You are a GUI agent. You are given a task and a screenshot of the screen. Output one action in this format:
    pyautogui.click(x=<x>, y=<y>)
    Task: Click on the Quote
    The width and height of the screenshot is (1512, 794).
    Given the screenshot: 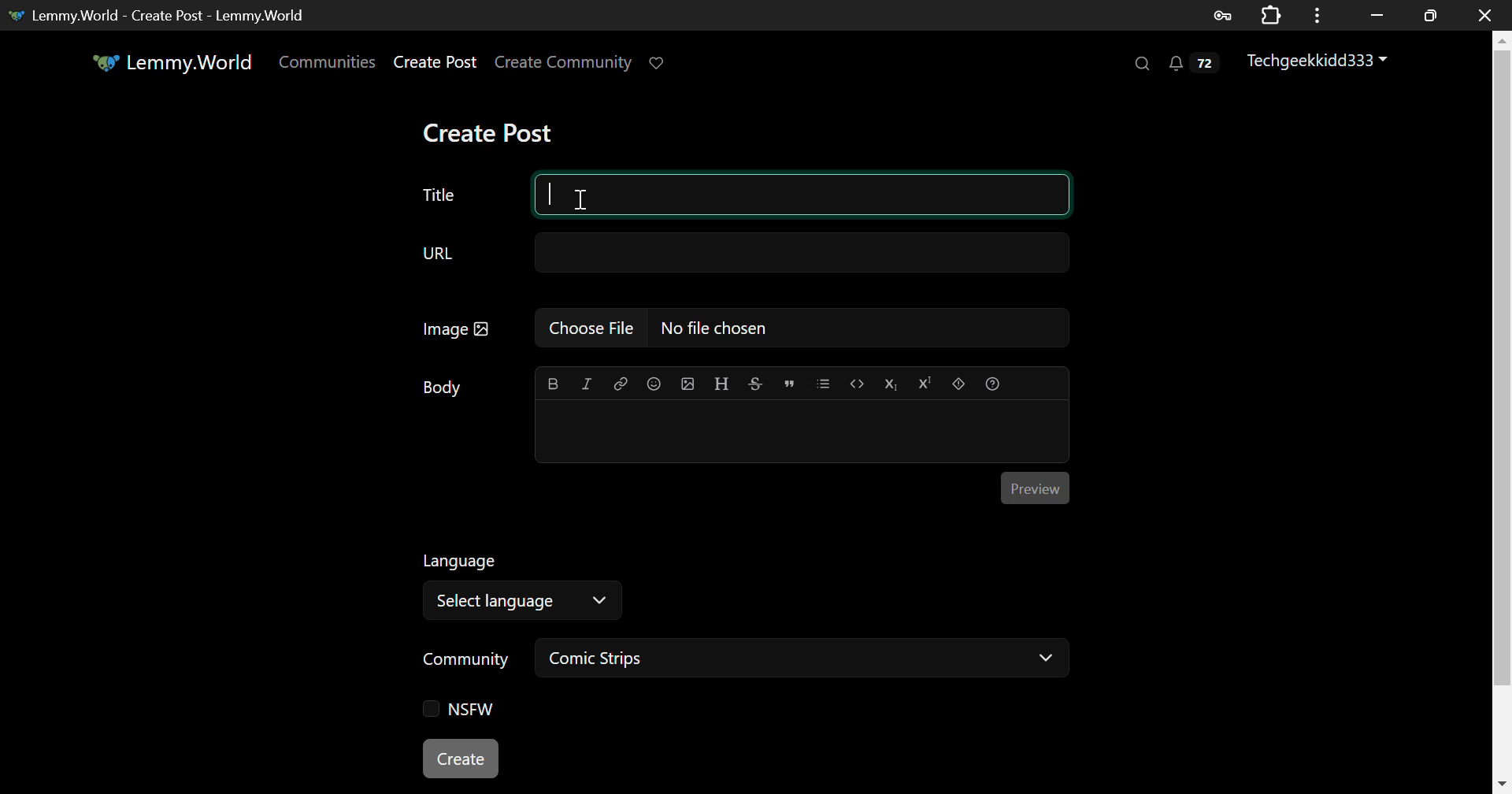 What is the action you would take?
    pyautogui.click(x=789, y=382)
    